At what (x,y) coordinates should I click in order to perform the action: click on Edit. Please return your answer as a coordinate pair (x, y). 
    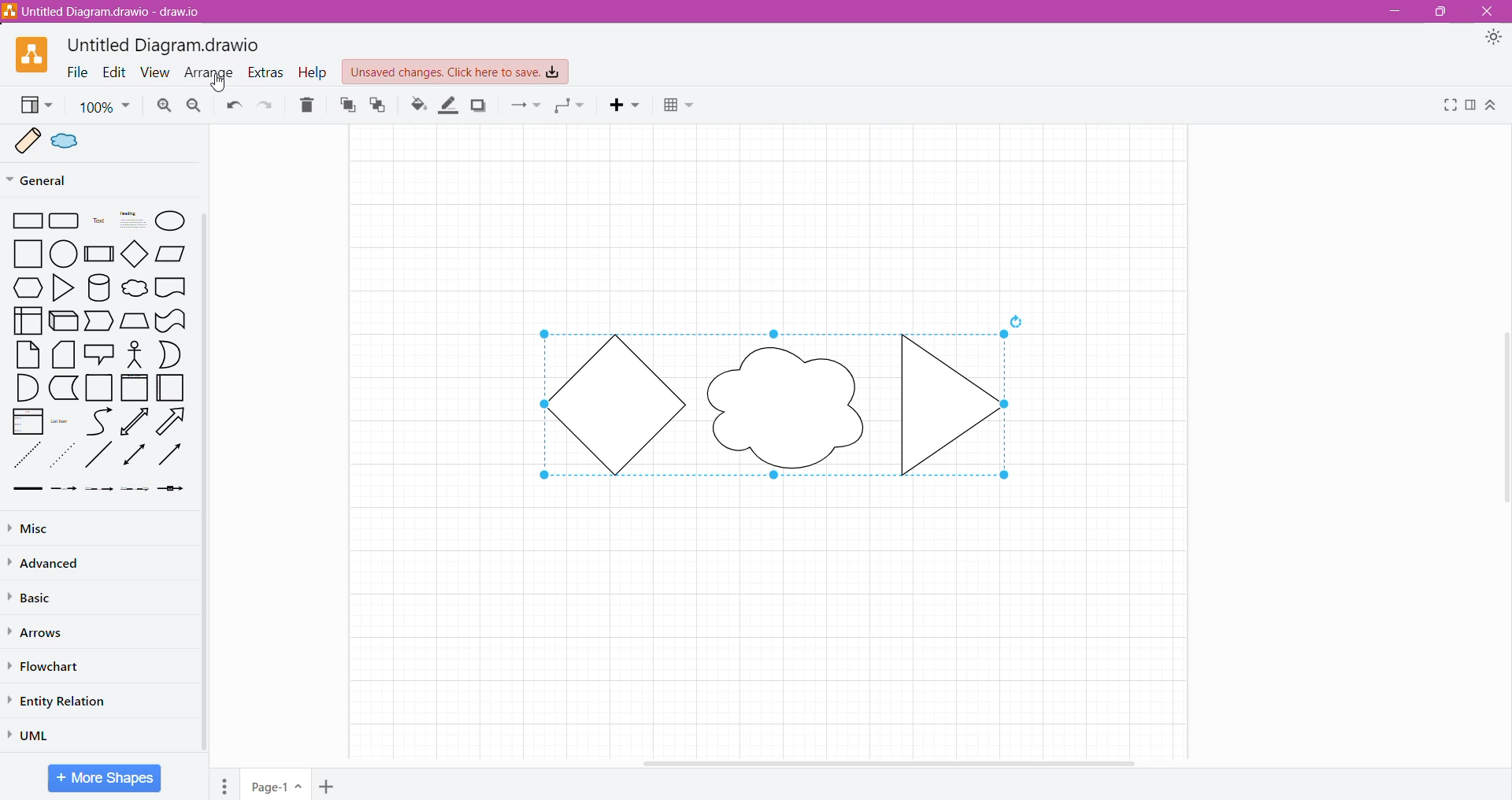
    Looking at the image, I should click on (114, 72).